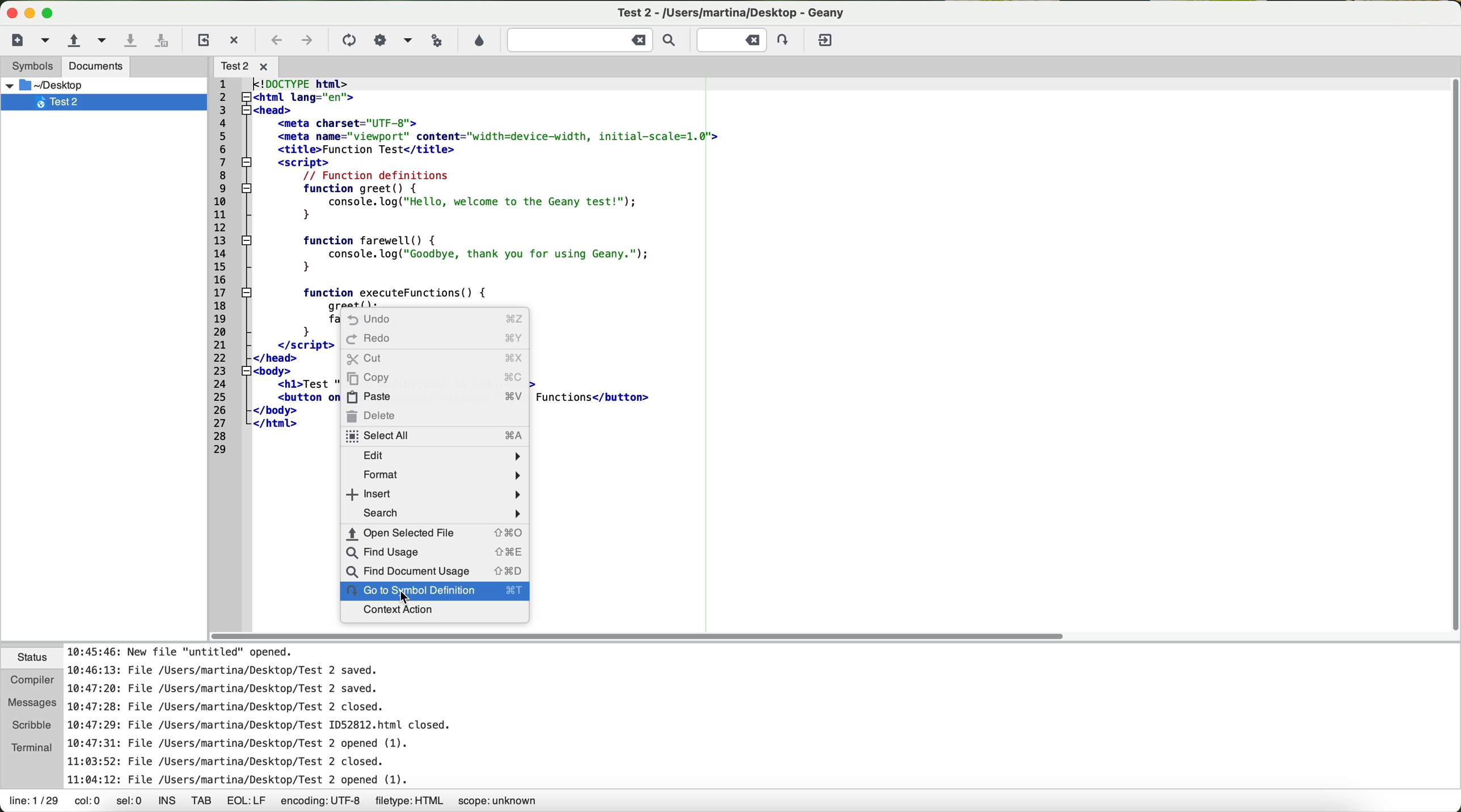 The width and height of the screenshot is (1461, 812). Describe the element at coordinates (27, 66) in the screenshot. I see `symbols` at that location.